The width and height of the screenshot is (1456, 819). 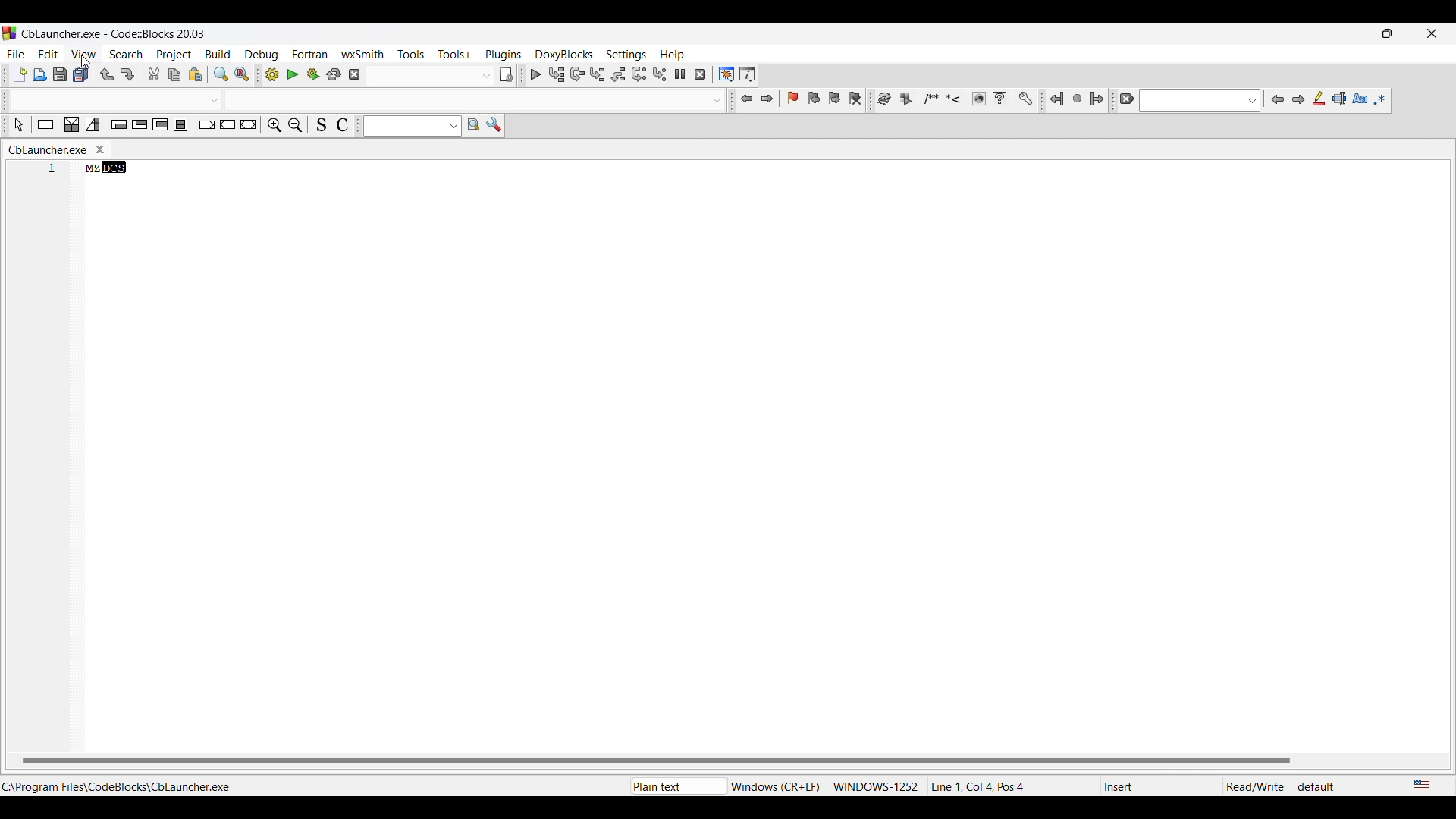 I want to click on Rebuild, so click(x=334, y=74).